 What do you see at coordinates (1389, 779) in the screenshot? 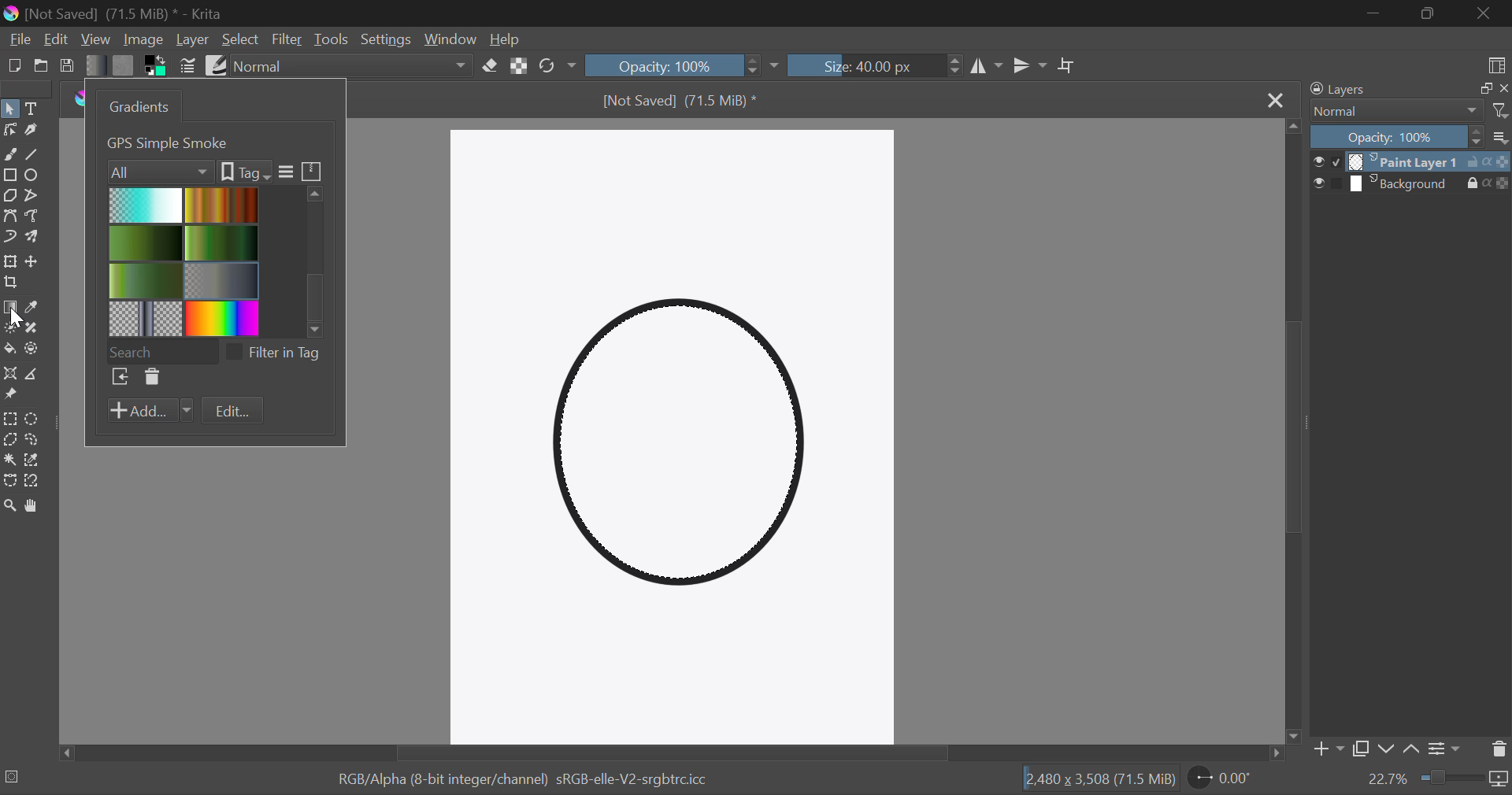
I see `zoom value` at bounding box center [1389, 779].